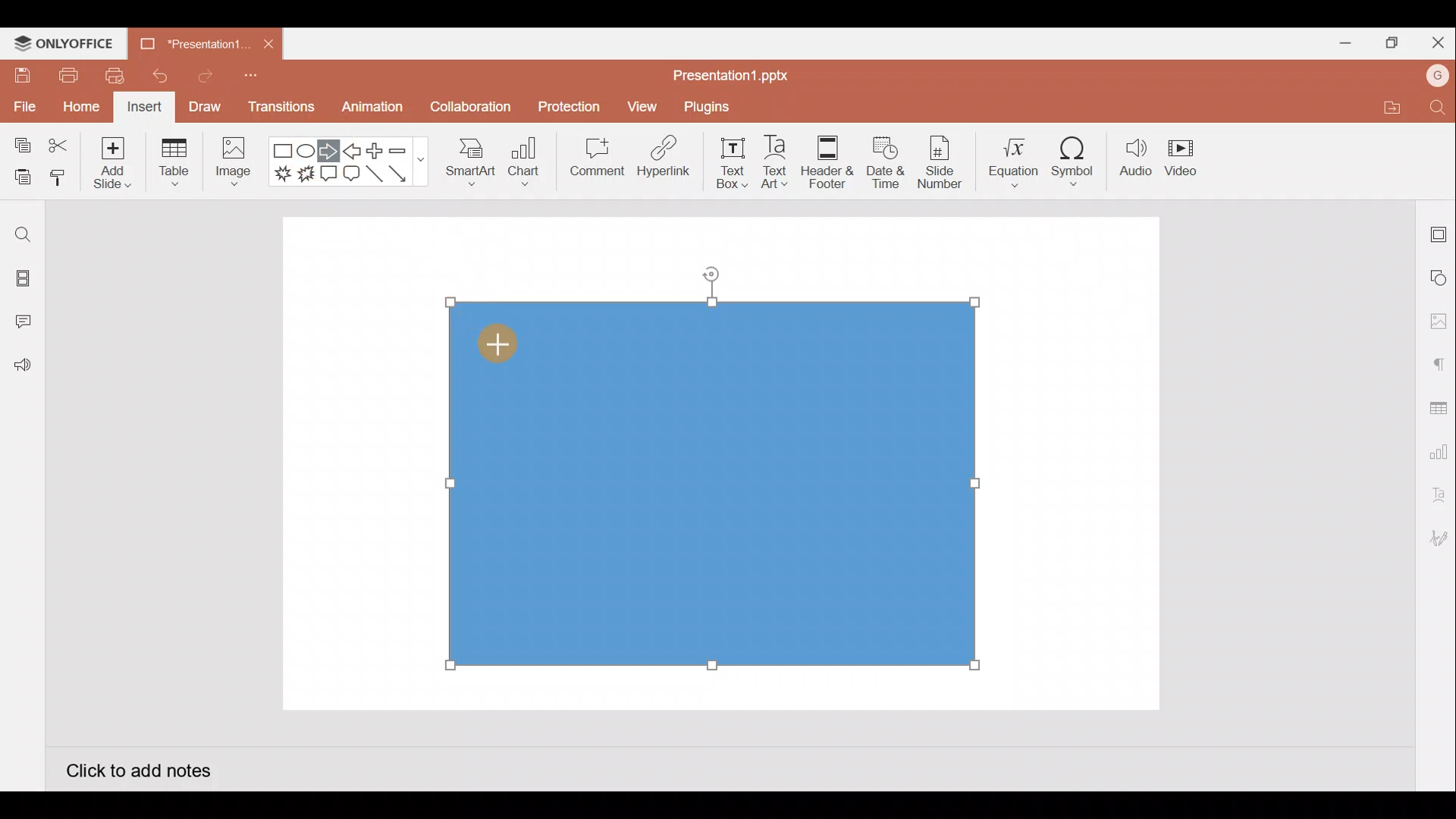 This screenshot has height=819, width=1456. I want to click on ONLYOFFICE, so click(64, 43).